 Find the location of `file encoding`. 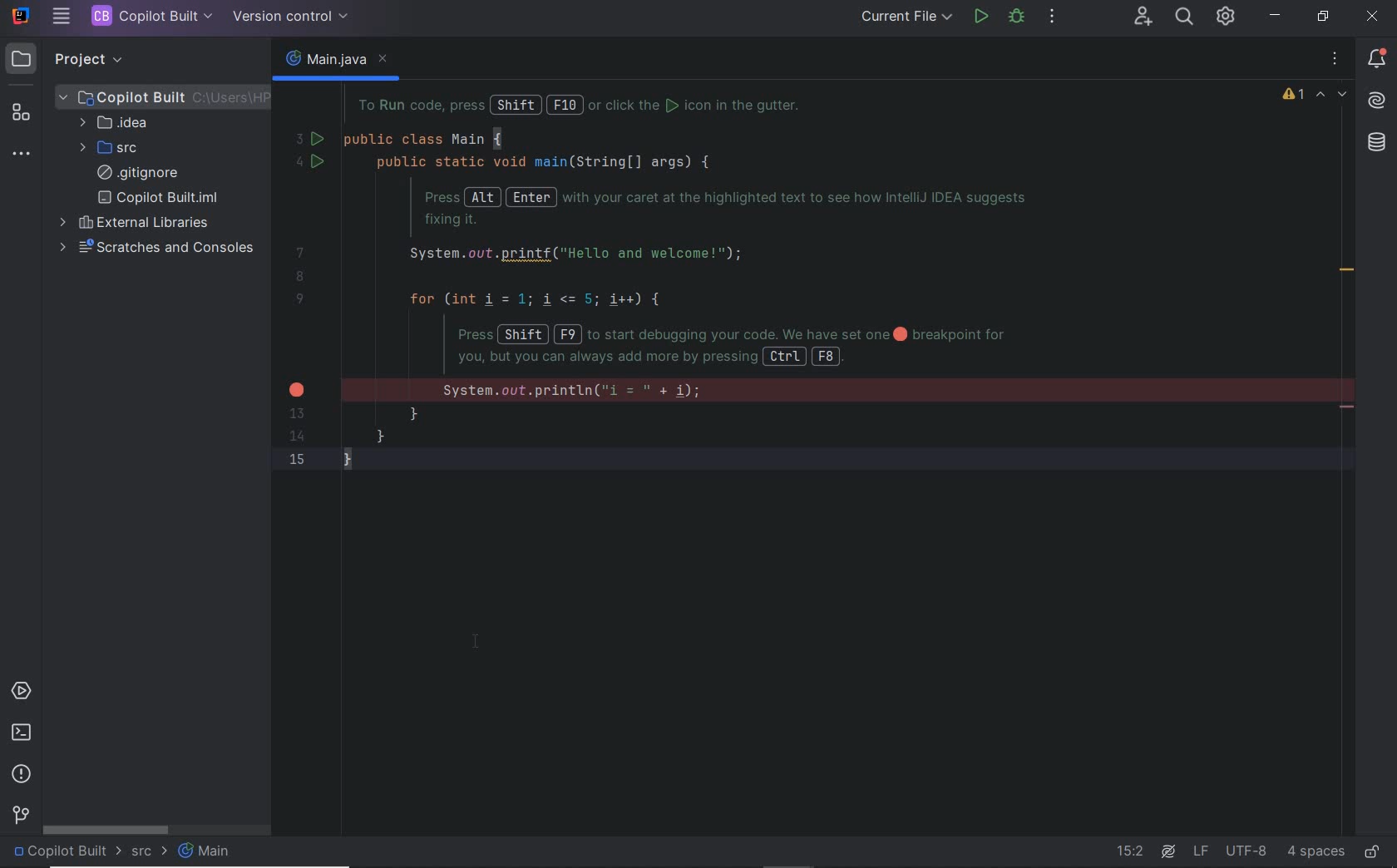

file encoding is located at coordinates (1246, 850).